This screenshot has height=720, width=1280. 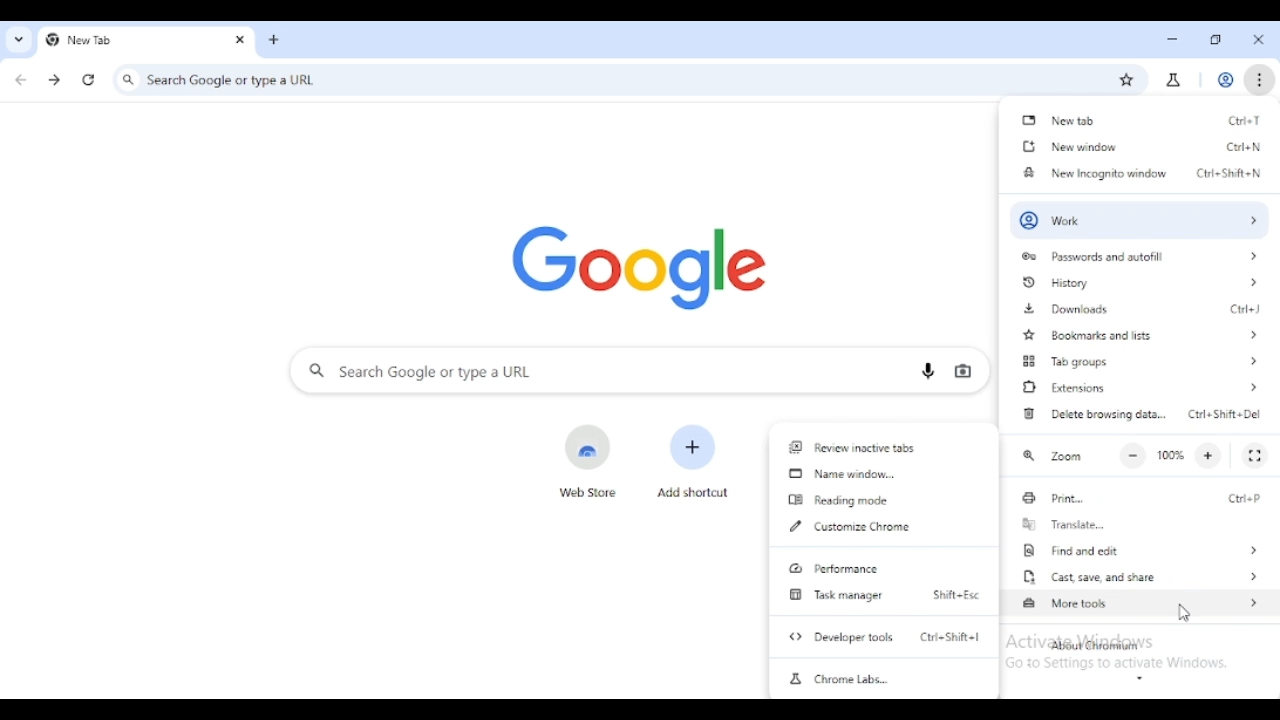 What do you see at coordinates (842, 474) in the screenshot?
I see `name window` at bounding box center [842, 474].